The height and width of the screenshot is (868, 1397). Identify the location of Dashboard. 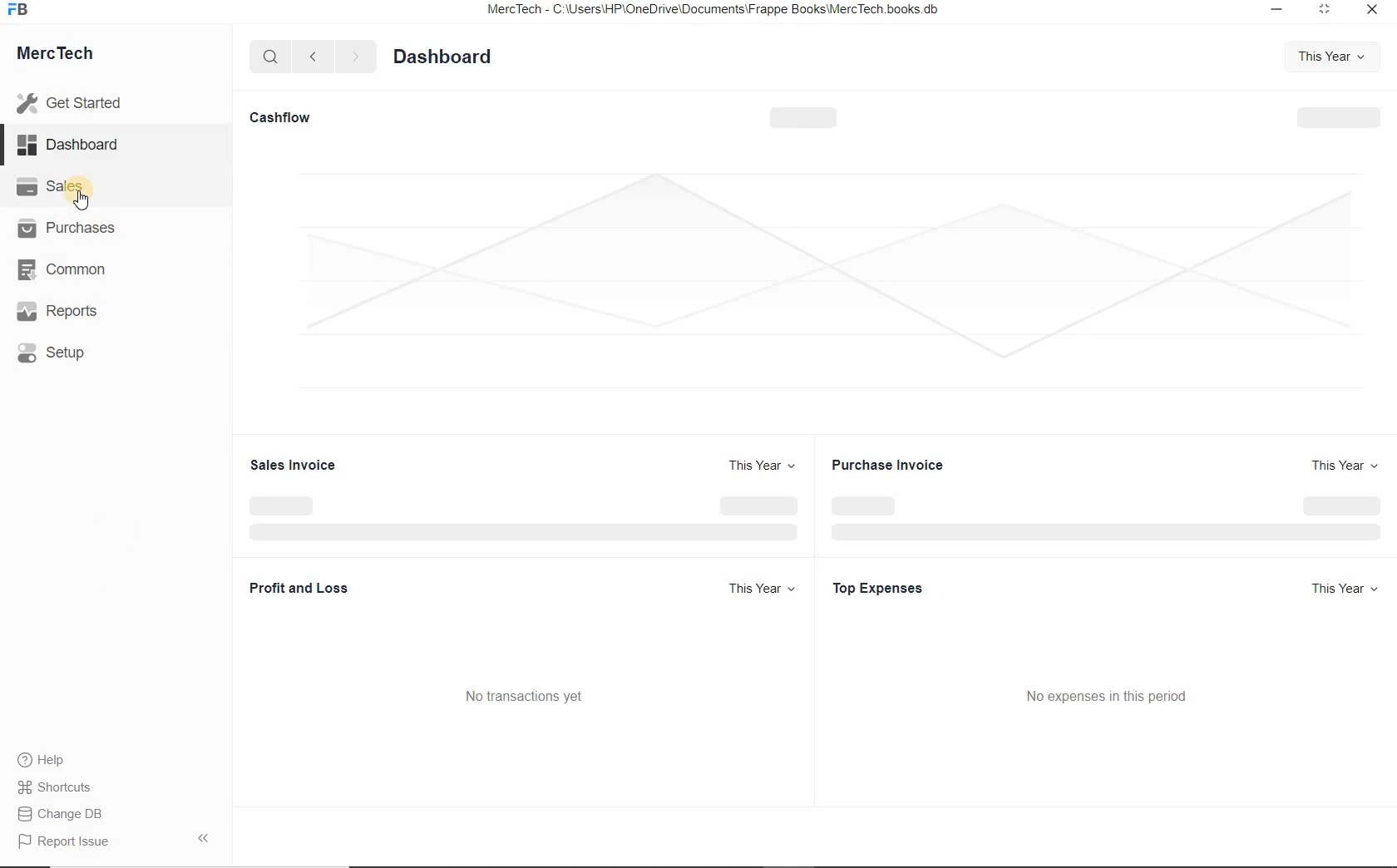
(444, 56).